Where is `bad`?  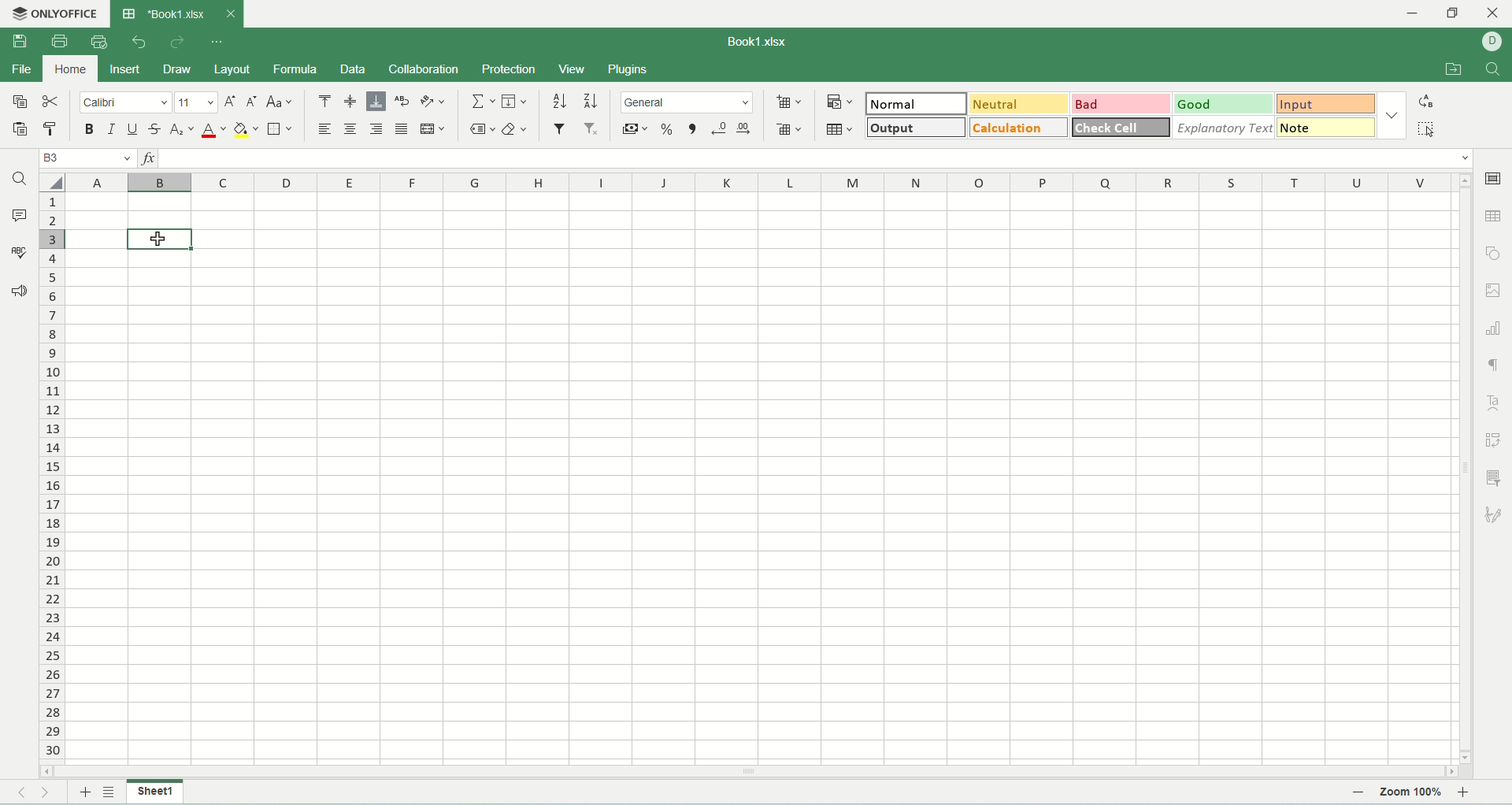 bad is located at coordinates (1124, 103).